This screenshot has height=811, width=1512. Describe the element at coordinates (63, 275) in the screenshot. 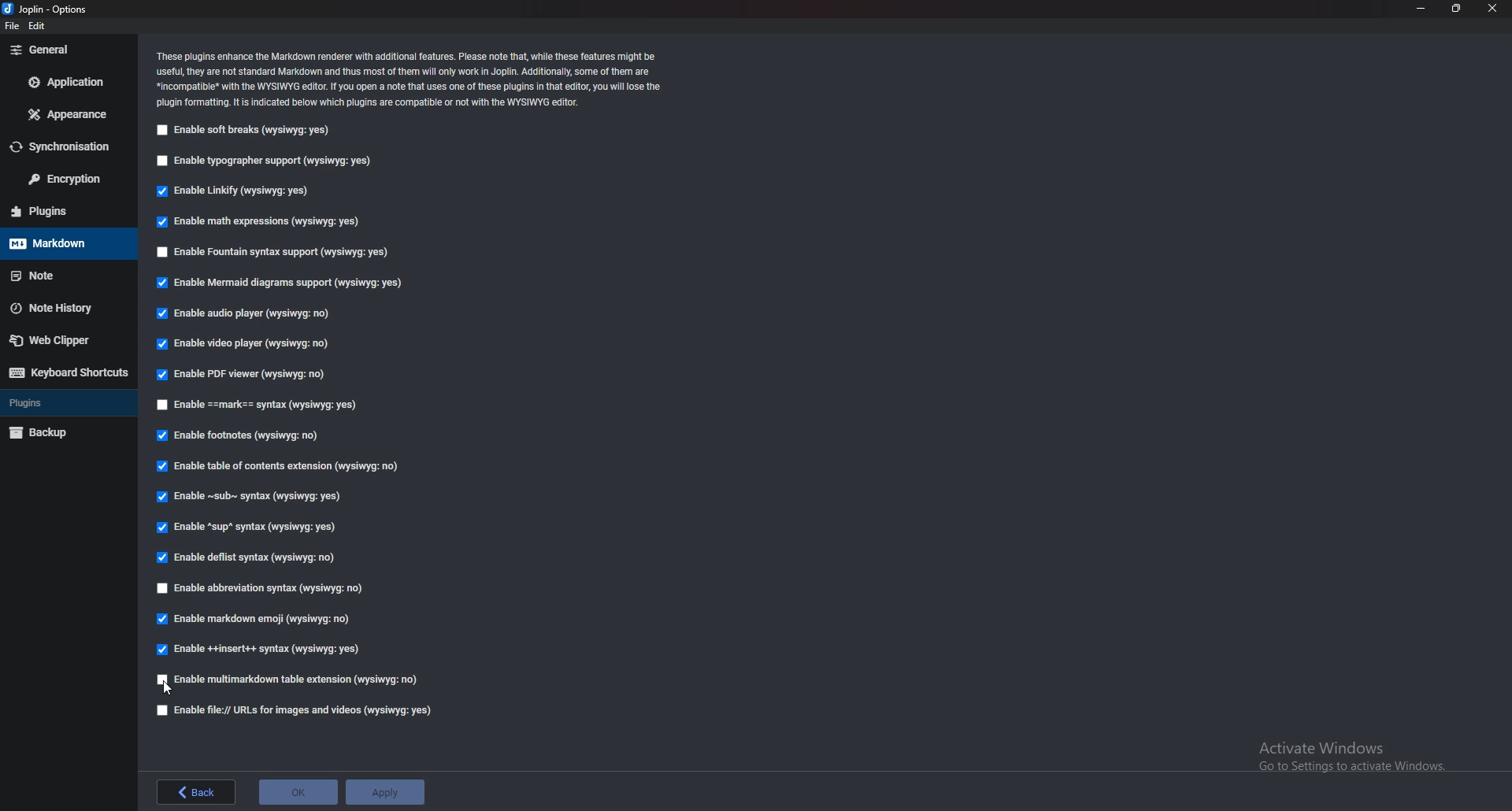

I see `note` at that location.